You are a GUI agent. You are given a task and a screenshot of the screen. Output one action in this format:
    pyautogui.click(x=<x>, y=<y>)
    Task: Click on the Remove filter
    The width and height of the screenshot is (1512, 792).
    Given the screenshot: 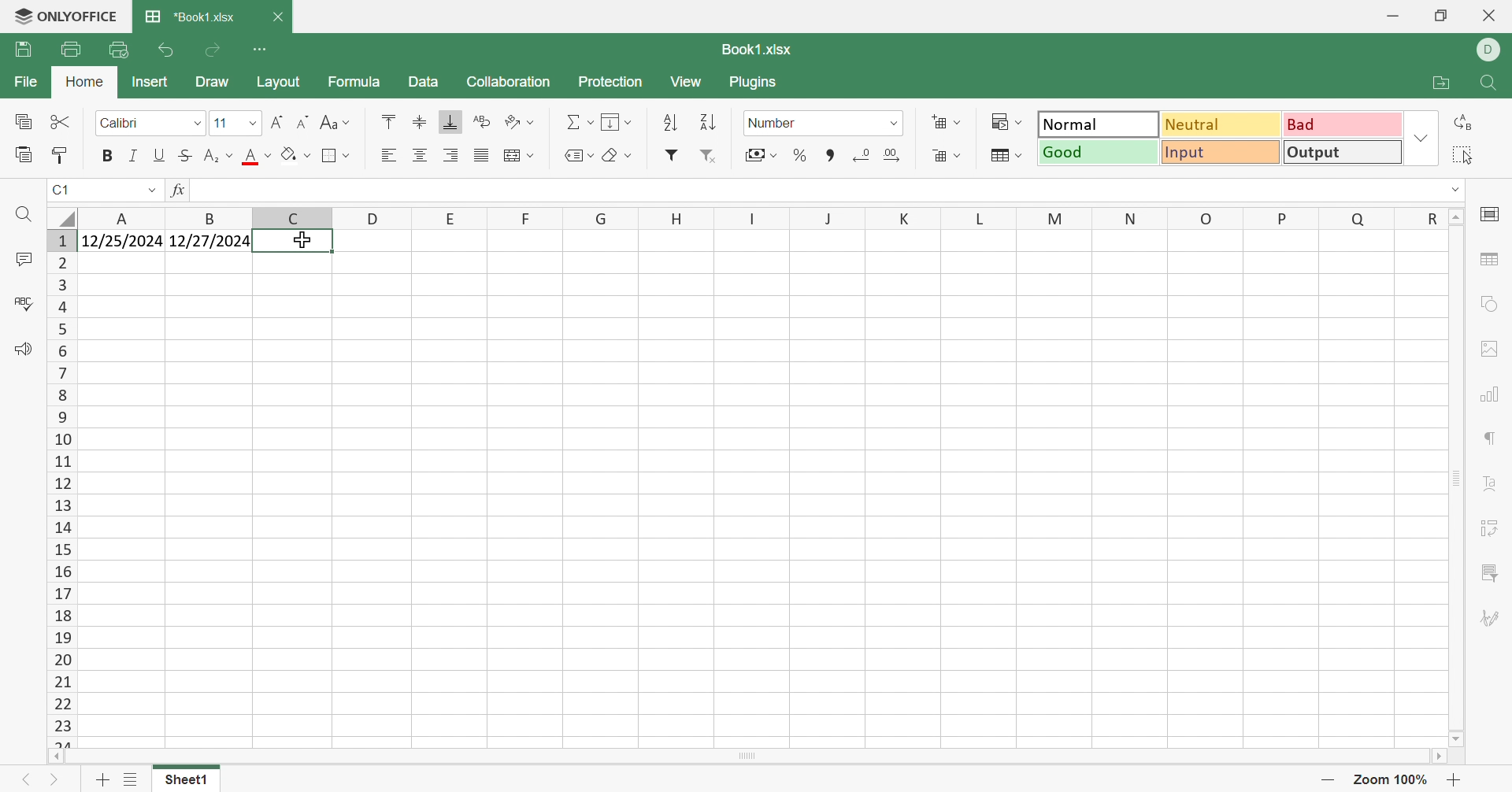 What is the action you would take?
    pyautogui.click(x=710, y=156)
    